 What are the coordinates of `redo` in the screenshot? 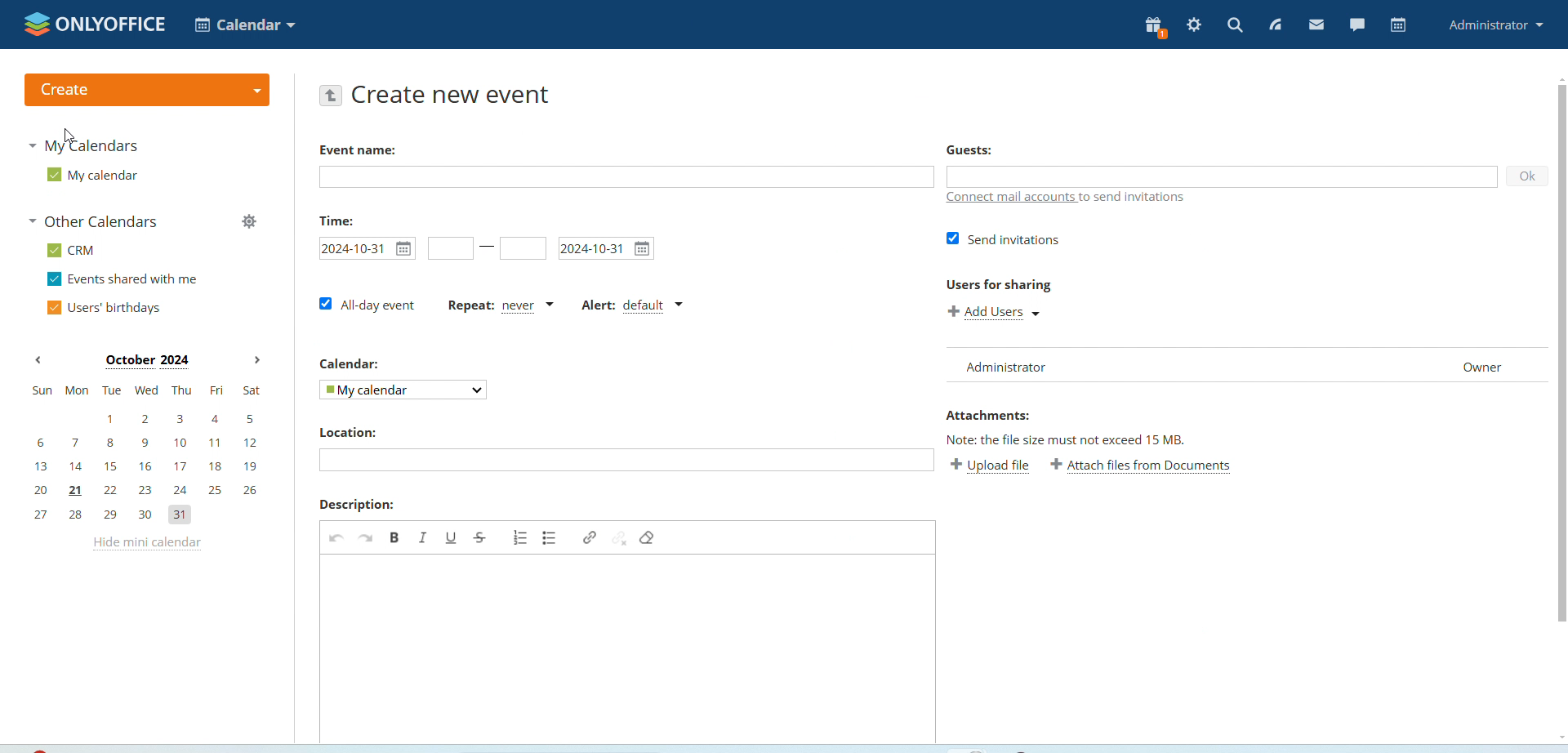 It's located at (367, 538).